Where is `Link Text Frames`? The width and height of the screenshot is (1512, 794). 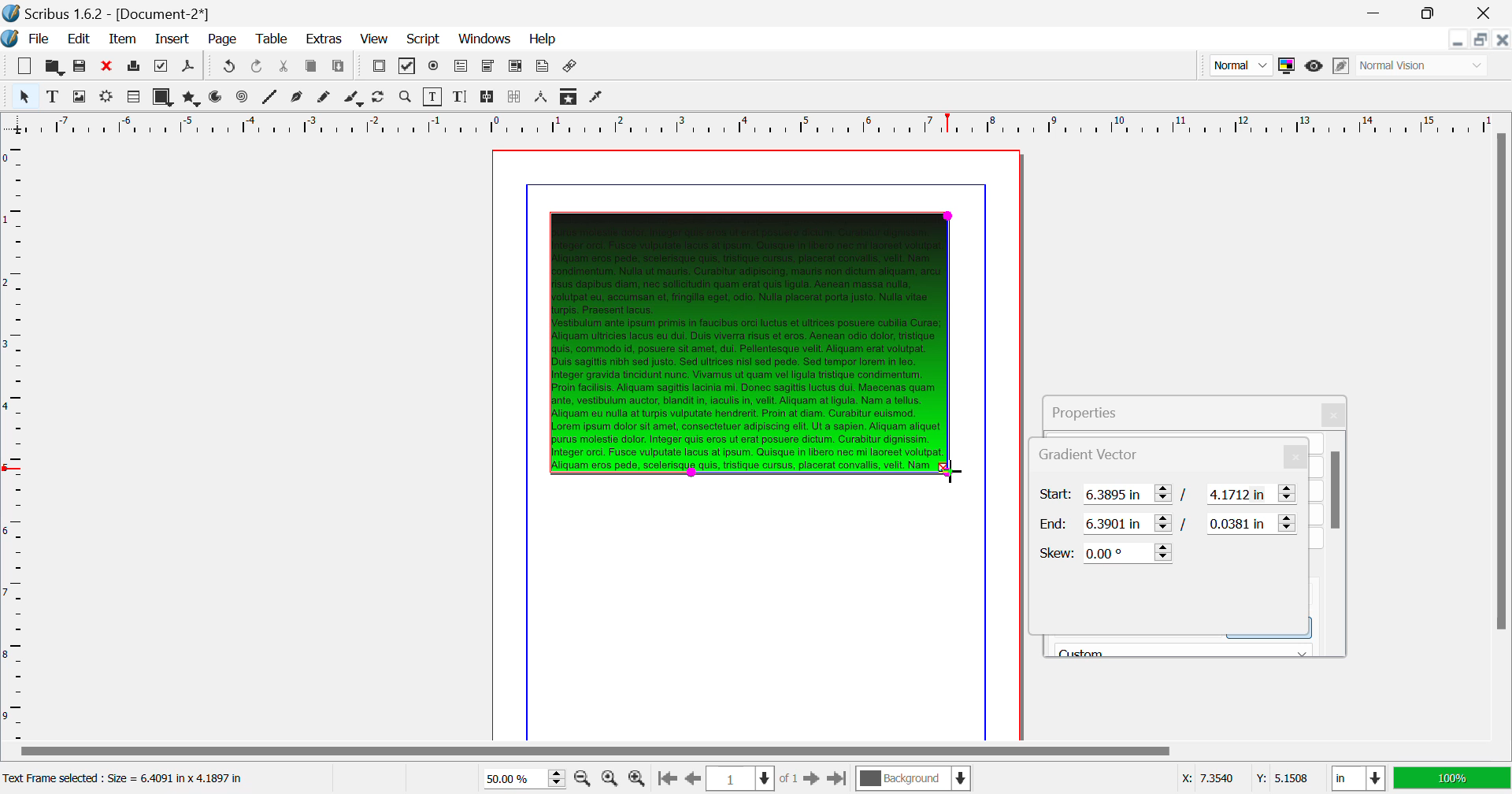
Link Text Frames is located at coordinates (488, 98).